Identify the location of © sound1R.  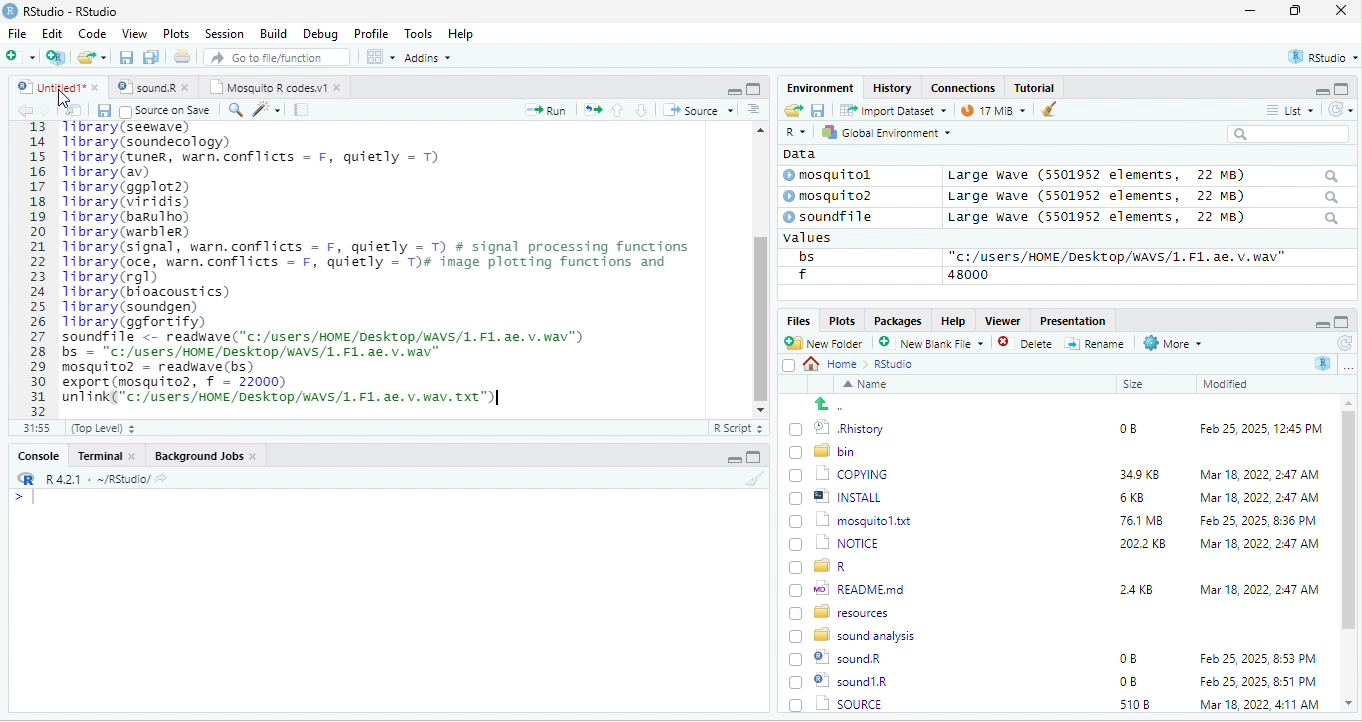
(842, 660).